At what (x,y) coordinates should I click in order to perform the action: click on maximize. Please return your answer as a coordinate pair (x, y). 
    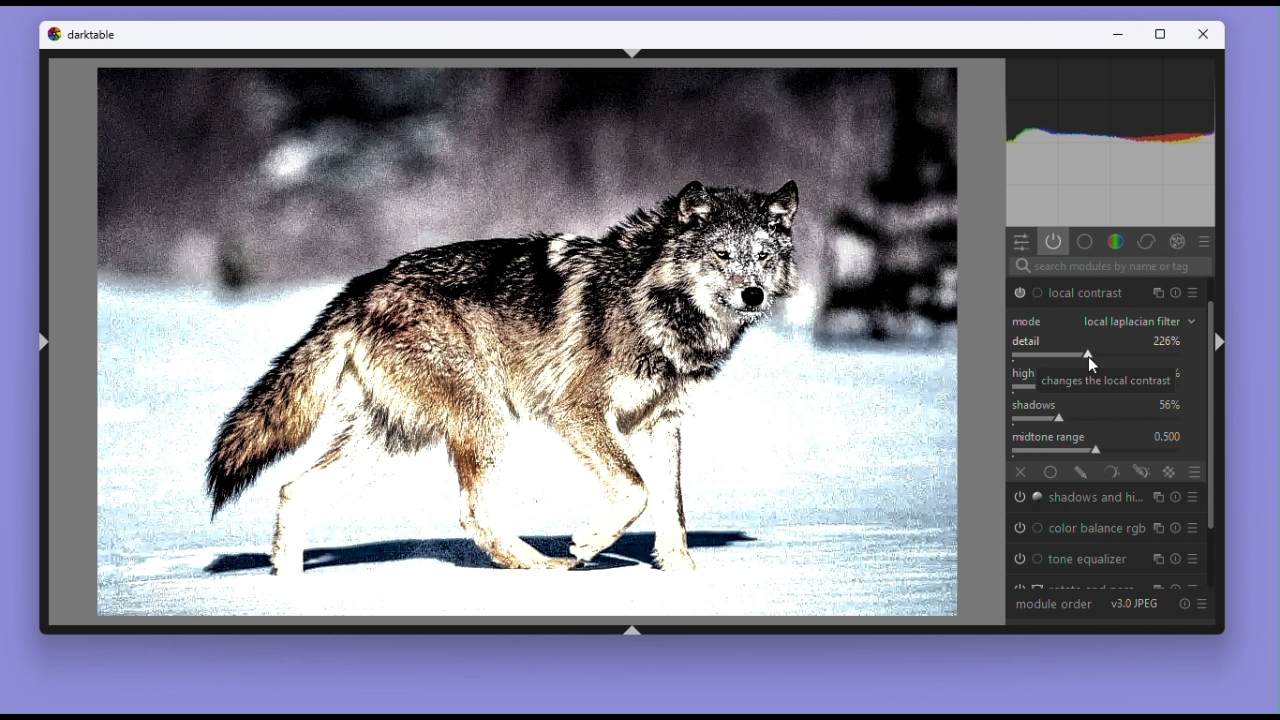
    Looking at the image, I should click on (1162, 35).